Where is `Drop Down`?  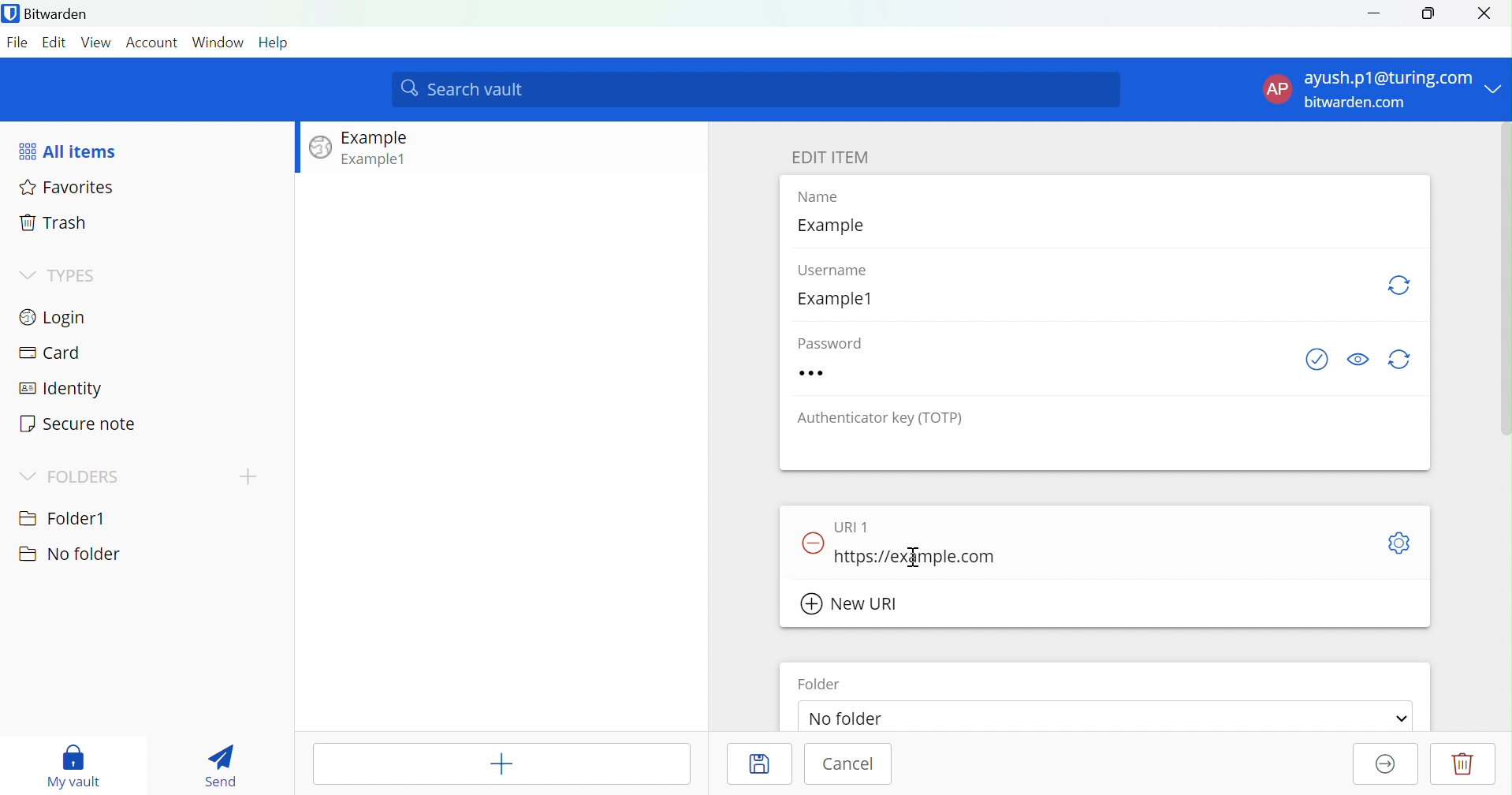
Drop Down is located at coordinates (1402, 718).